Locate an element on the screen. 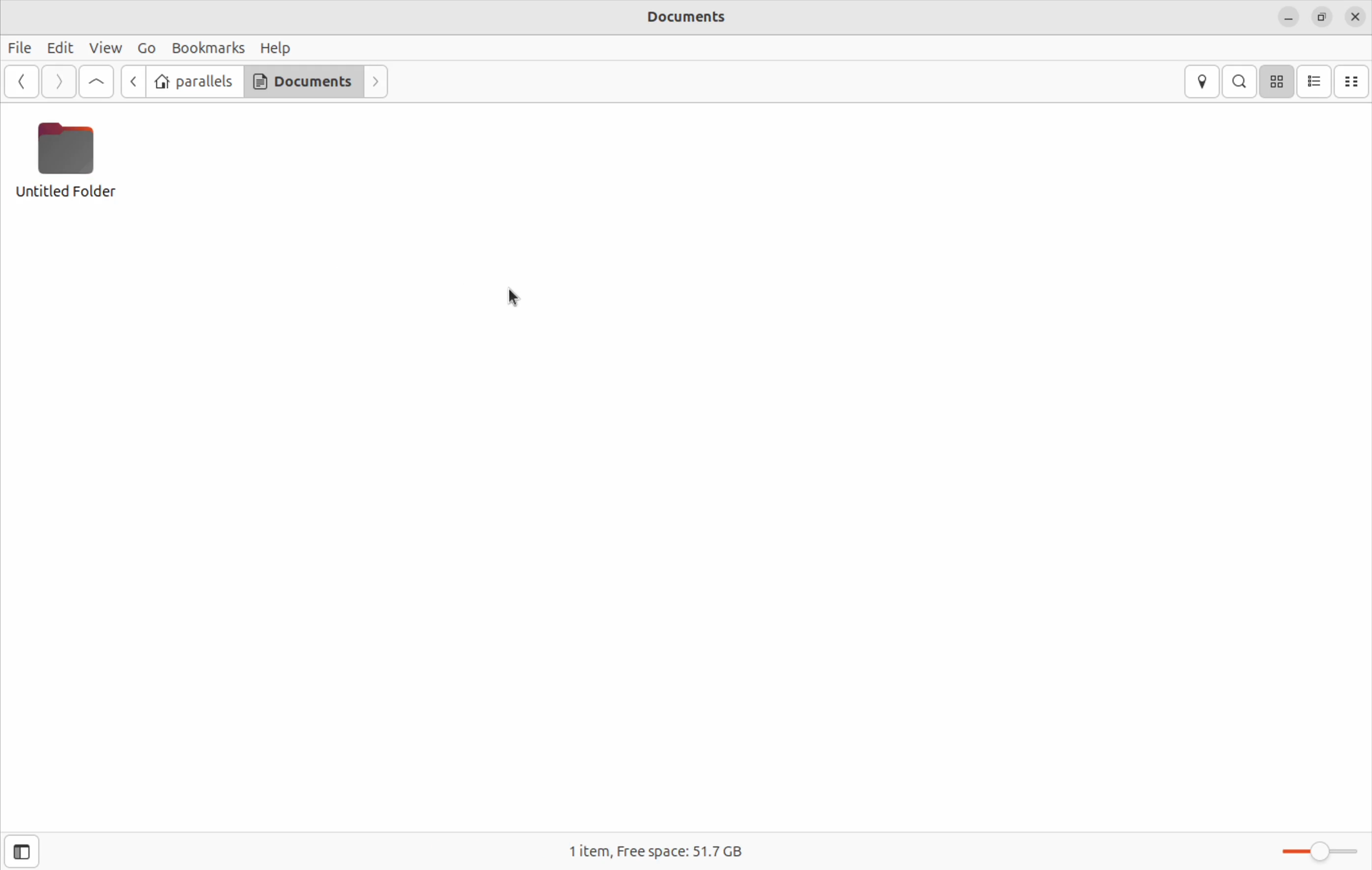 Image resolution: width=1372 pixels, height=870 pixels. location is located at coordinates (1202, 81).